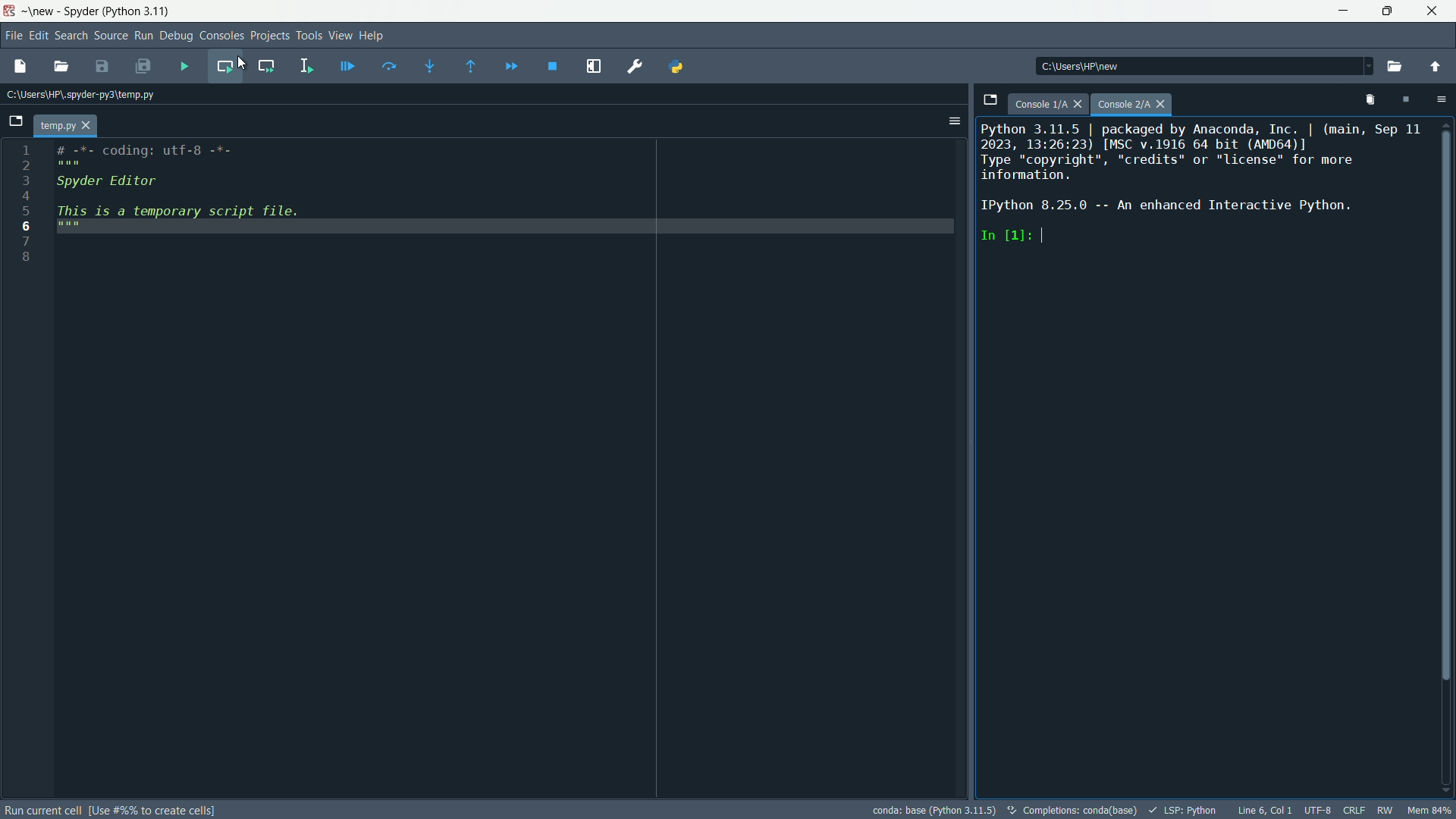  What do you see at coordinates (221, 36) in the screenshot?
I see `consoles menu` at bounding box center [221, 36].